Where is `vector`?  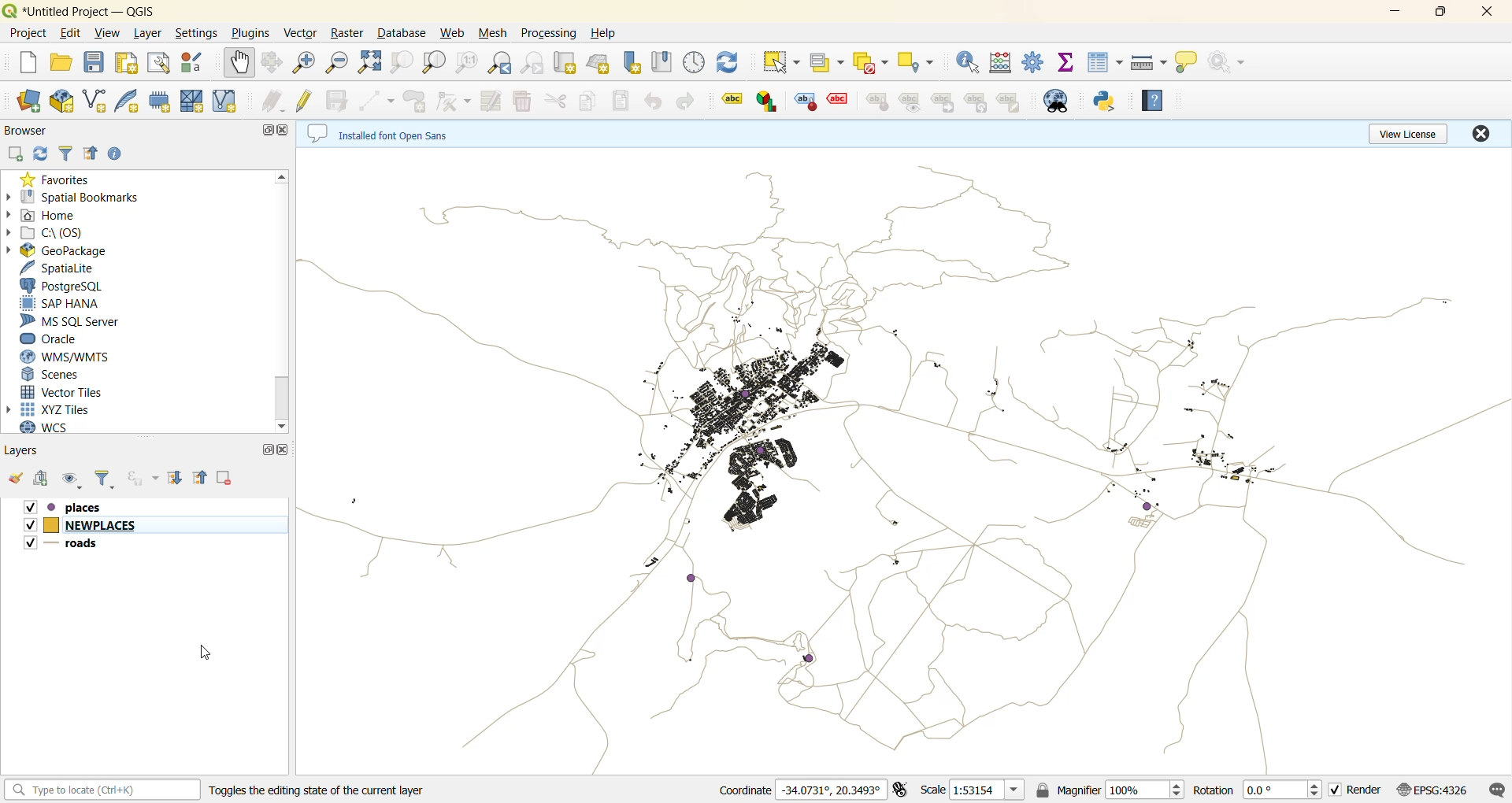
vector is located at coordinates (306, 34).